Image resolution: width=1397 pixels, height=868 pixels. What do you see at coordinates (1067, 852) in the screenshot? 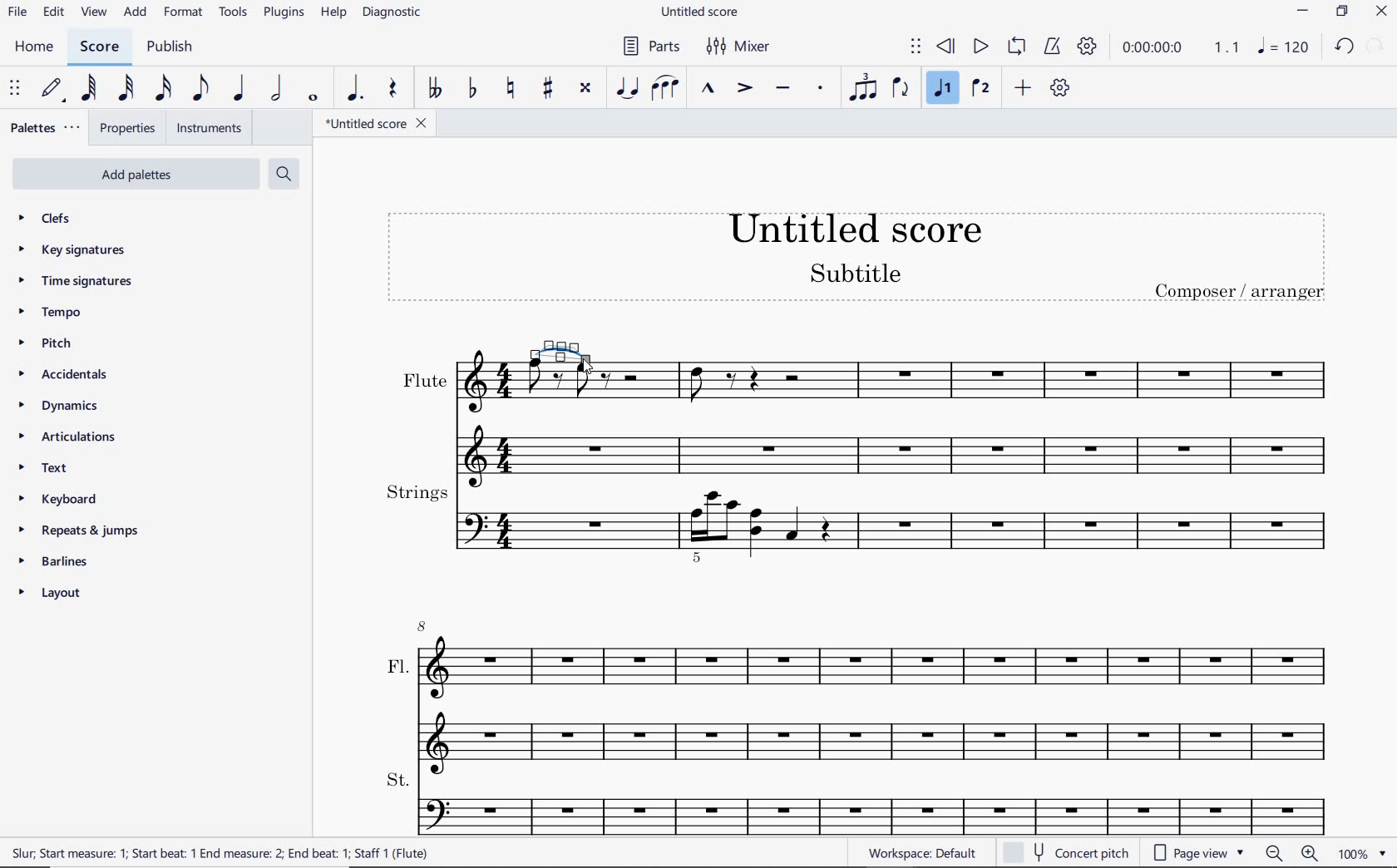
I see `concert pitch` at bounding box center [1067, 852].